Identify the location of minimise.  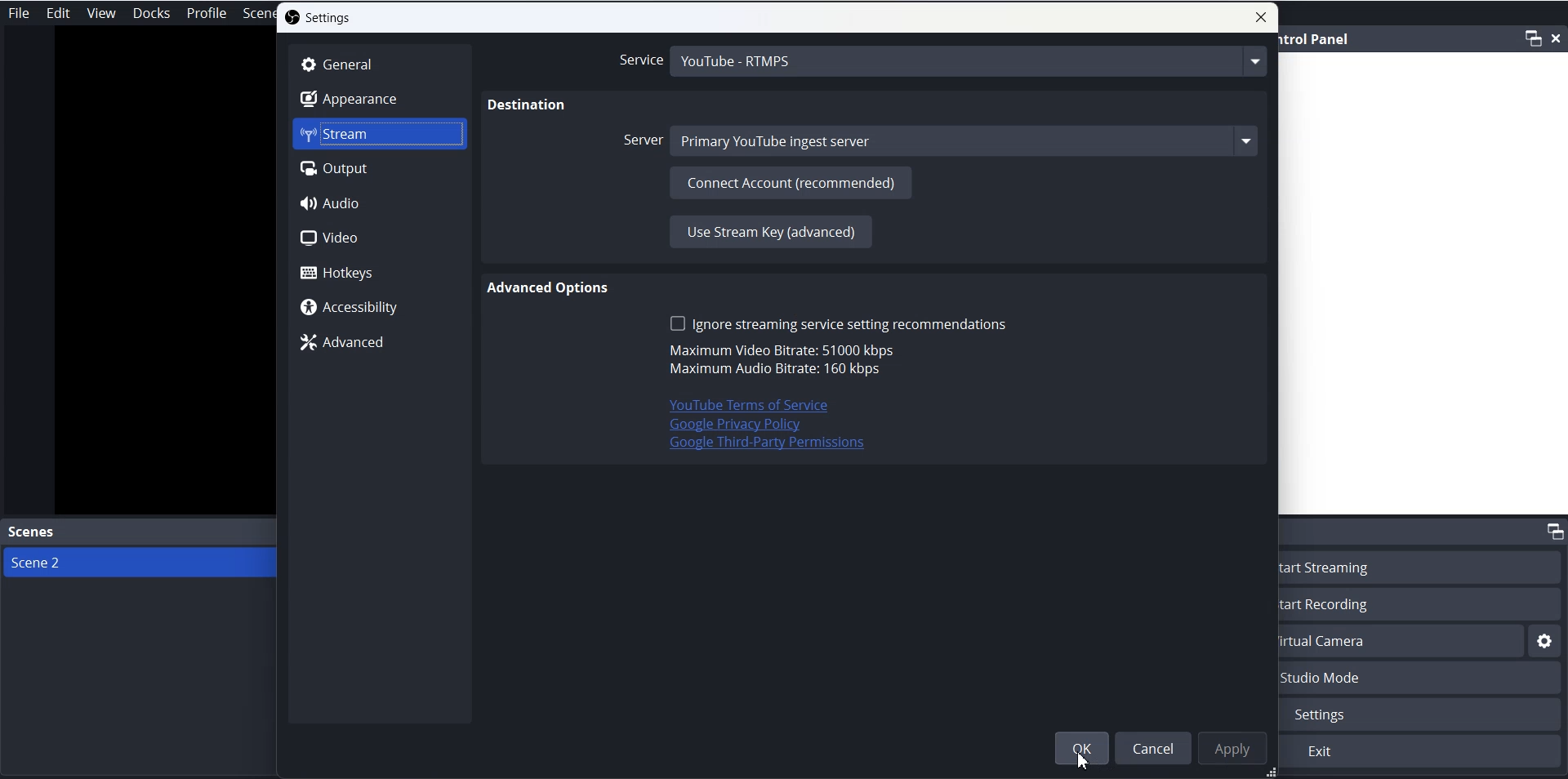
(1552, 530).